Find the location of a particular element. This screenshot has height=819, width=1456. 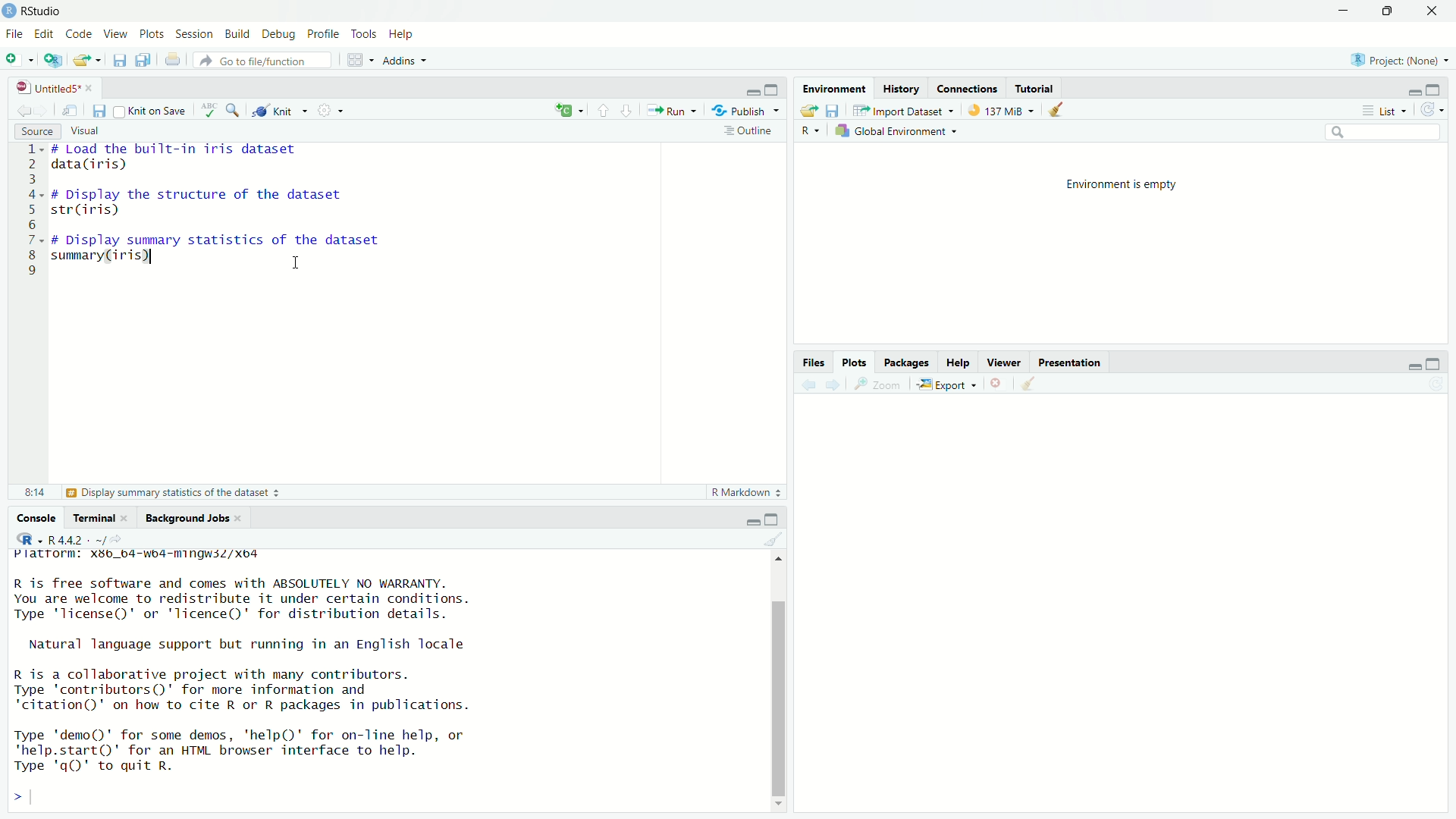

Source is located at coordinates (38, 131).